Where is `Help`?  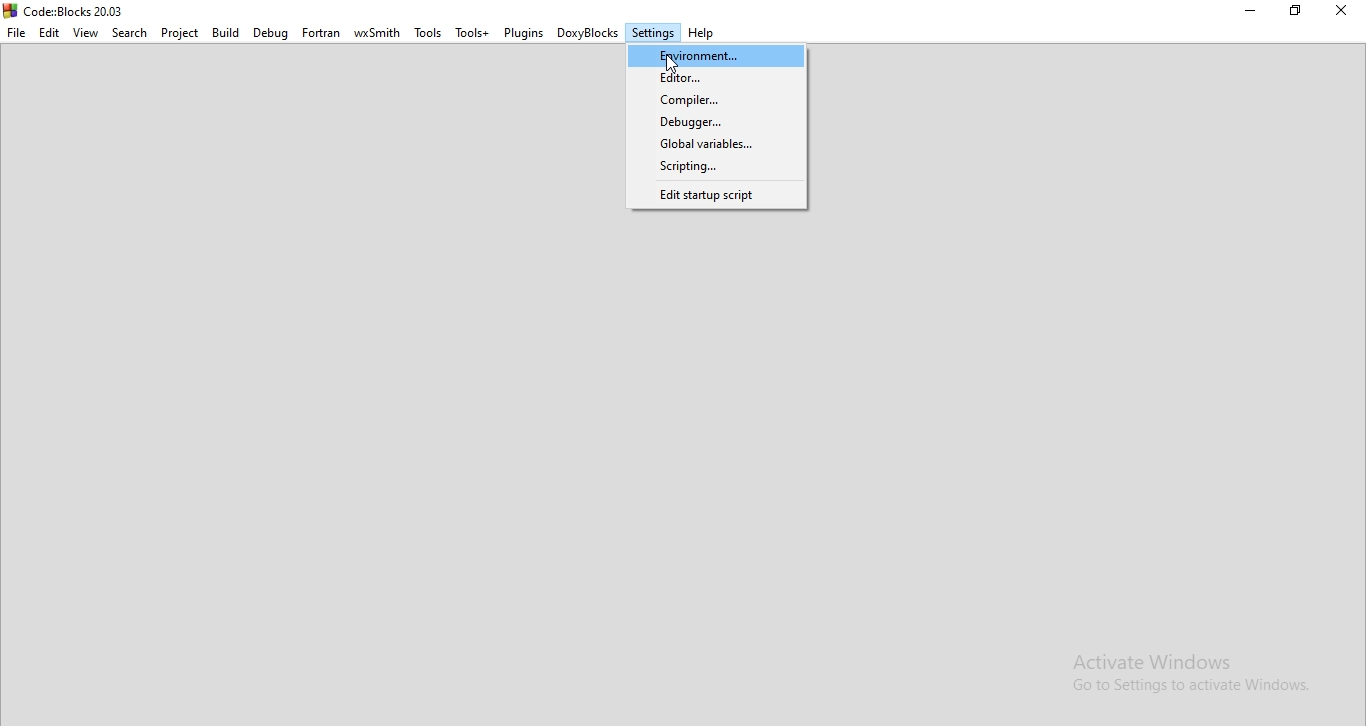 Help is located at coordinates (702, 33).